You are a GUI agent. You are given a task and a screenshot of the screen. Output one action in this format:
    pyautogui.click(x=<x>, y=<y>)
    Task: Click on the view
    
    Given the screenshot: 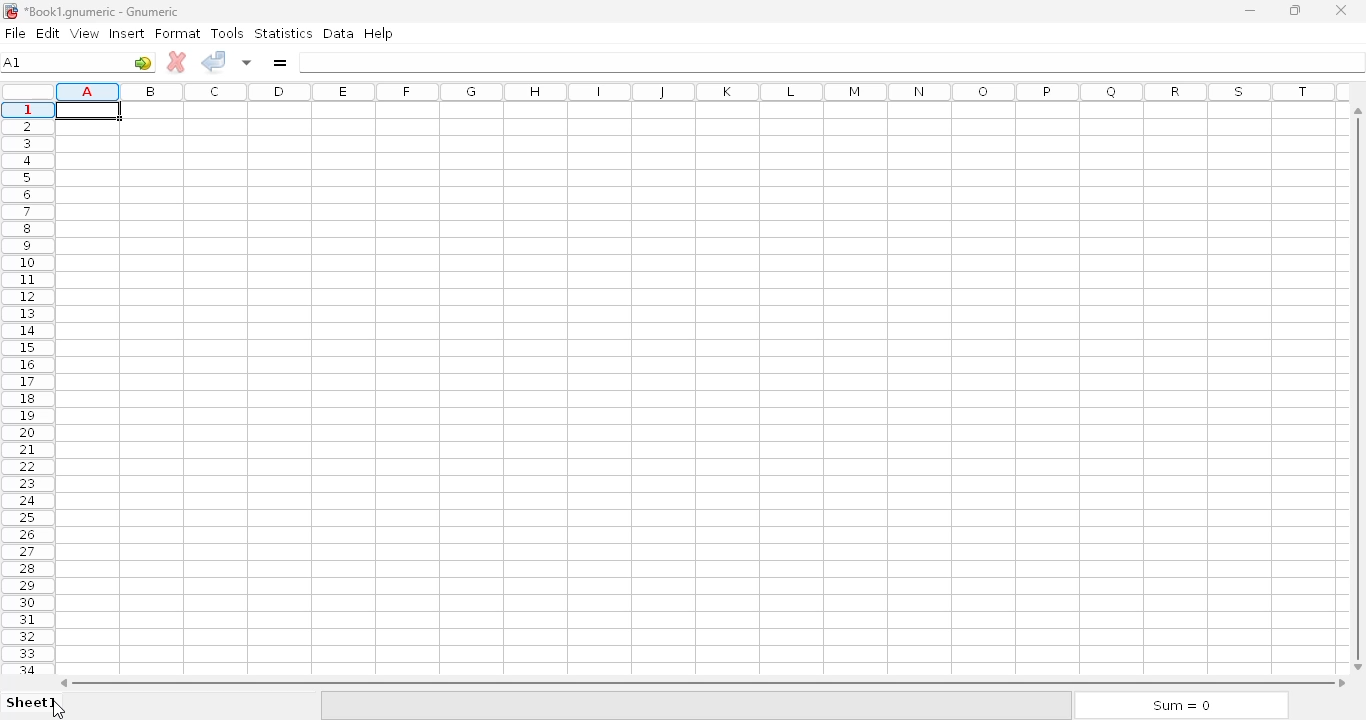 What is the action you would take?
    pyautogui.click(x=85, y=33)
    